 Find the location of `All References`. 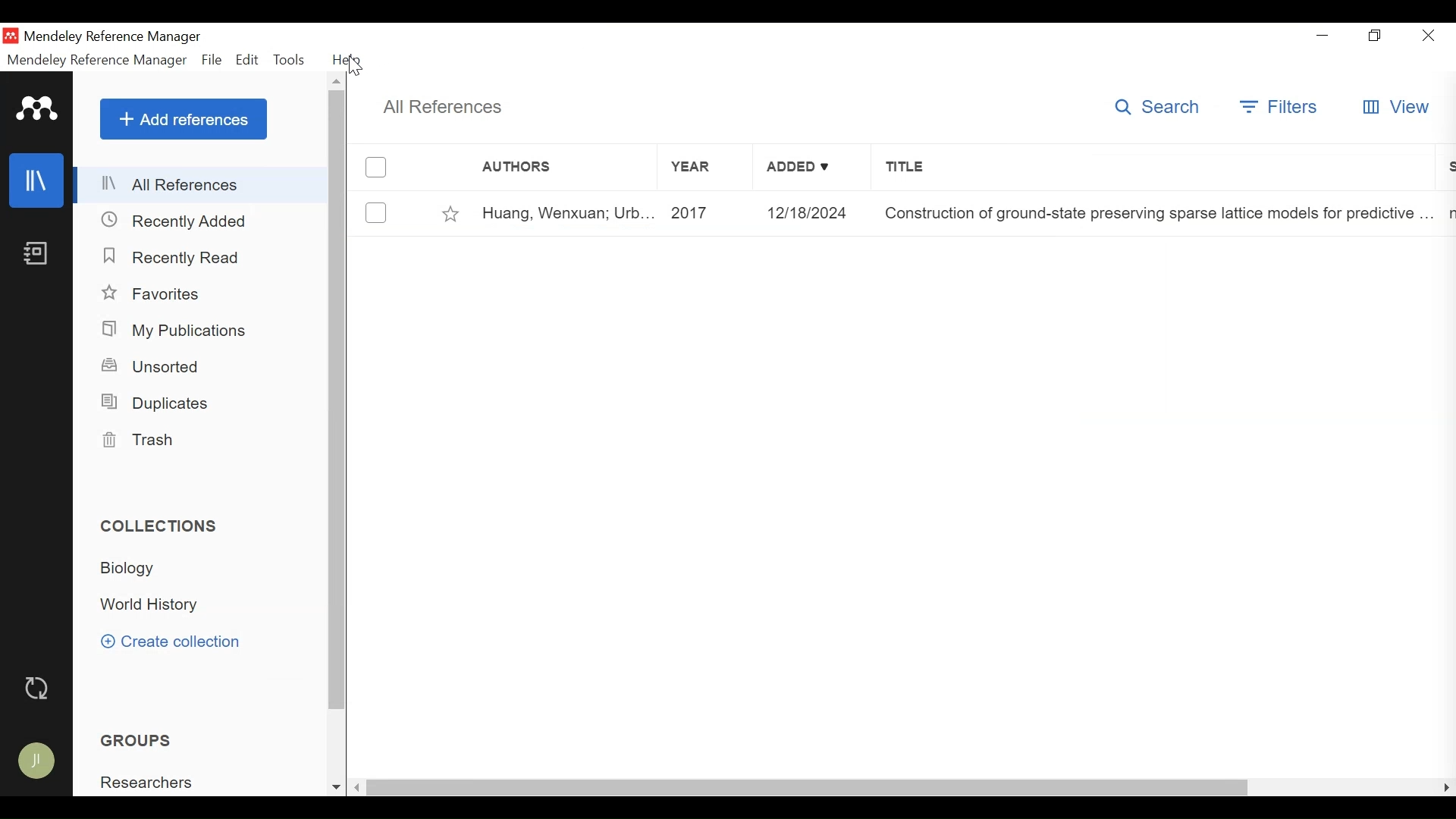

All References is located at coordinates (443, 106).